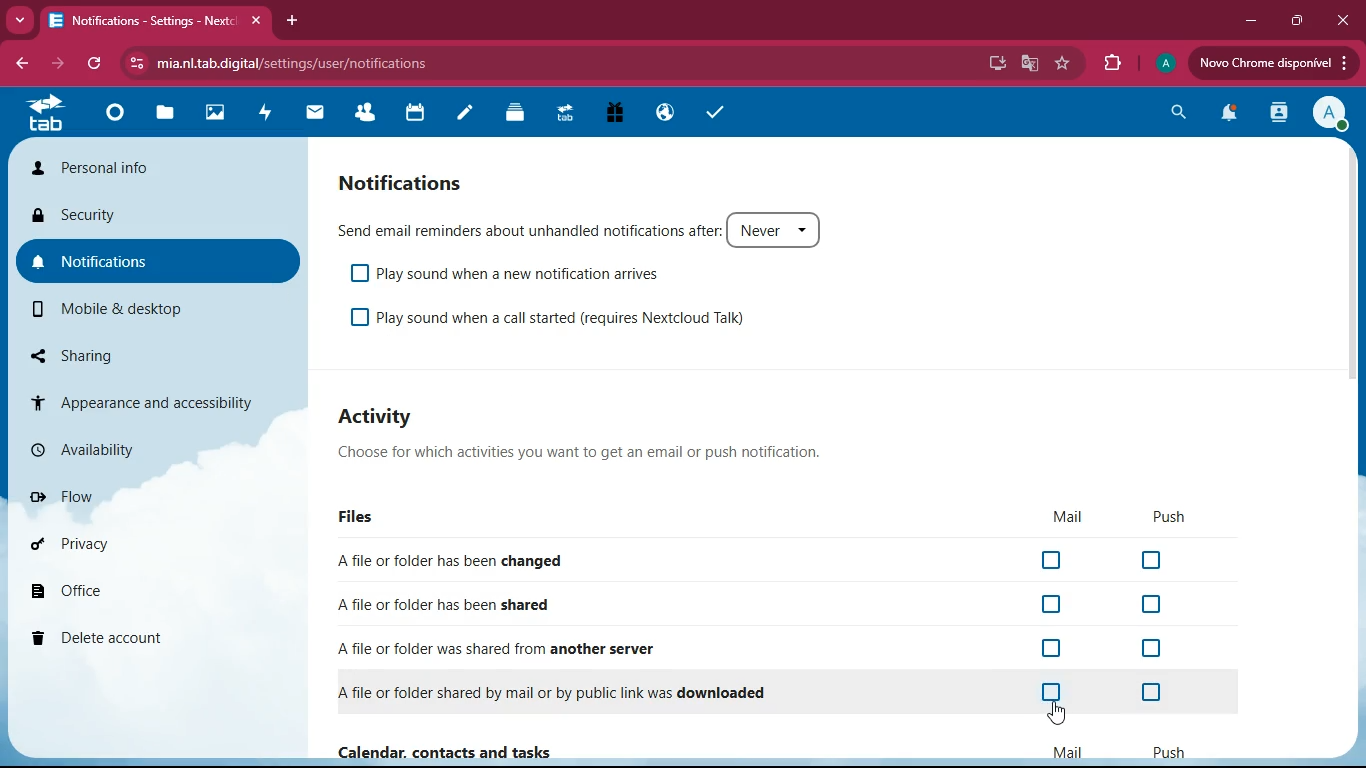 The width and height of the screenshot is (1366, 768). Describe the element at coordinates (411, 114) in the screenshot. I see `calendar` at that location.